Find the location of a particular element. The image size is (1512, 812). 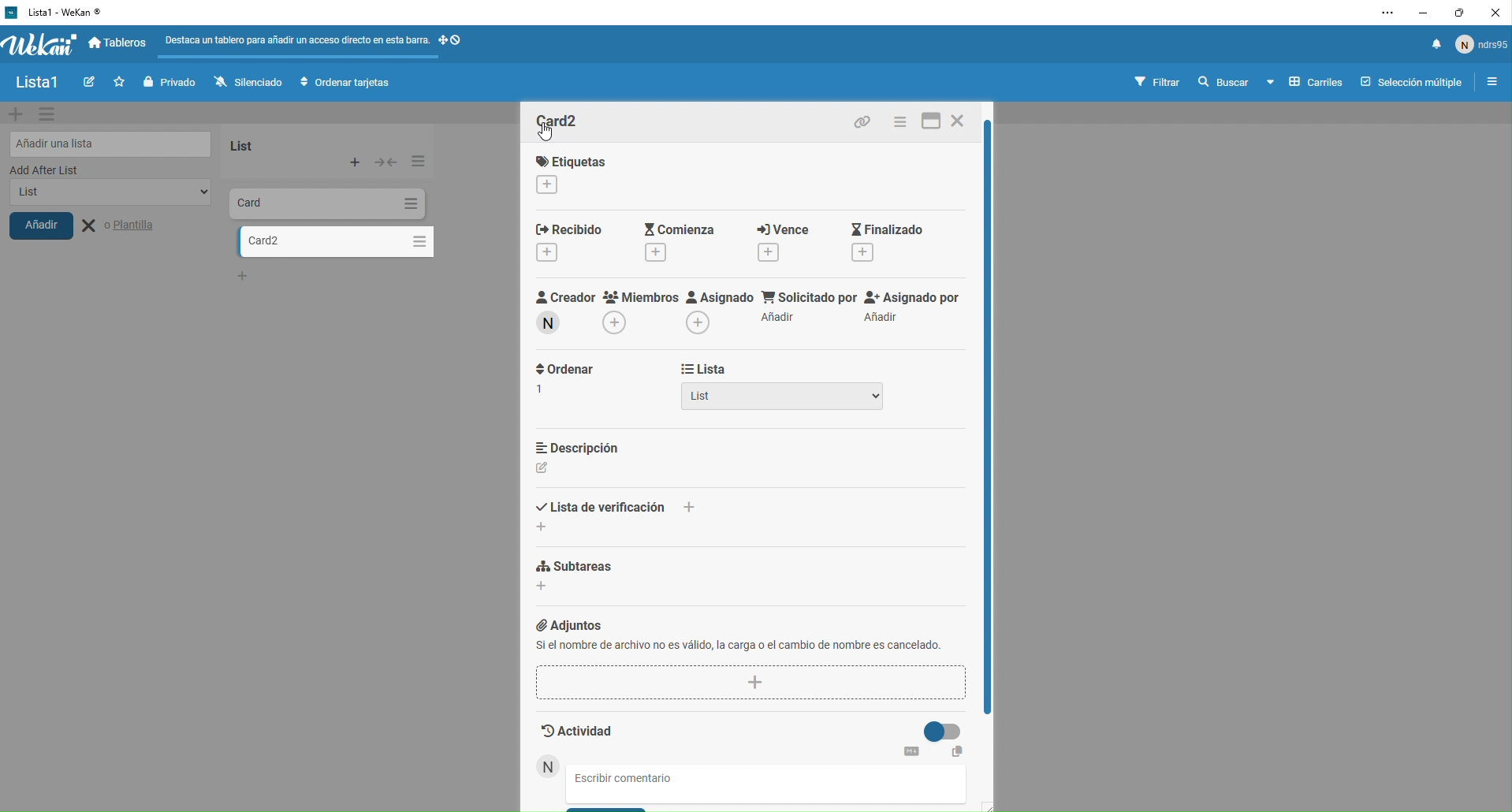

añadir is located at coordinates (54, 230).